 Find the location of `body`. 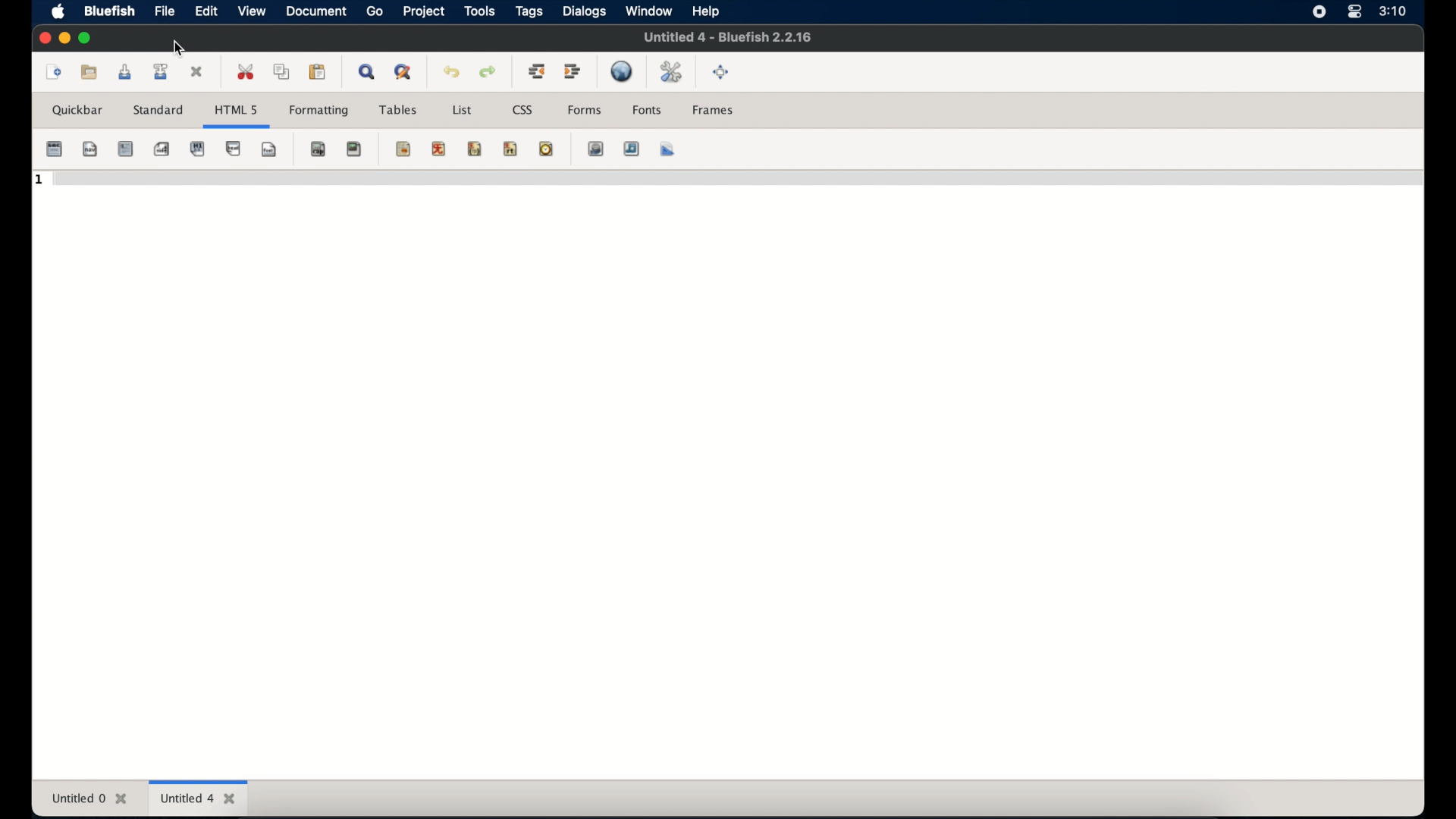

body is located at coordinates (90, 149).